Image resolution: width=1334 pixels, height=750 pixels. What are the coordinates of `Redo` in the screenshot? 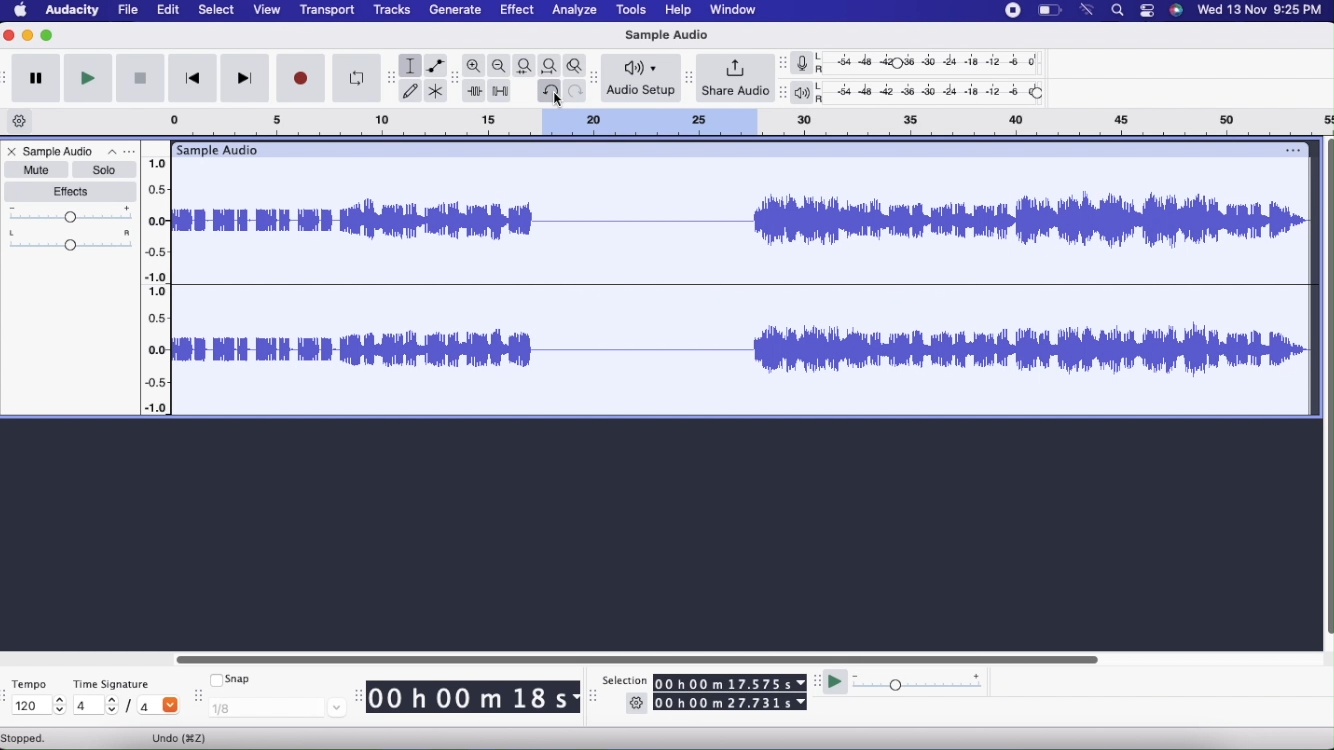 It's located at (576, 92).